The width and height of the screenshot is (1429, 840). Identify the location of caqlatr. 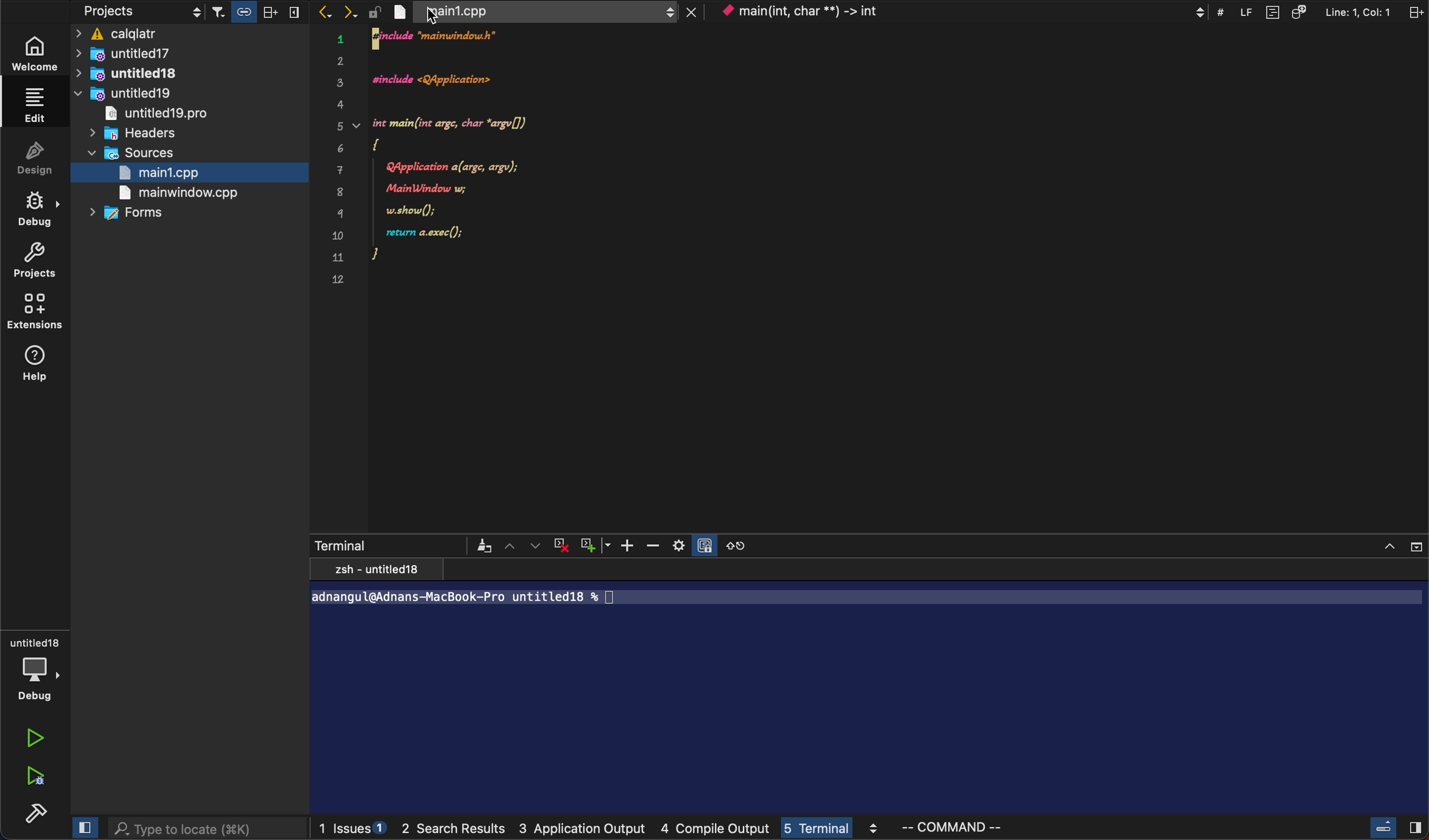
(189, 33).